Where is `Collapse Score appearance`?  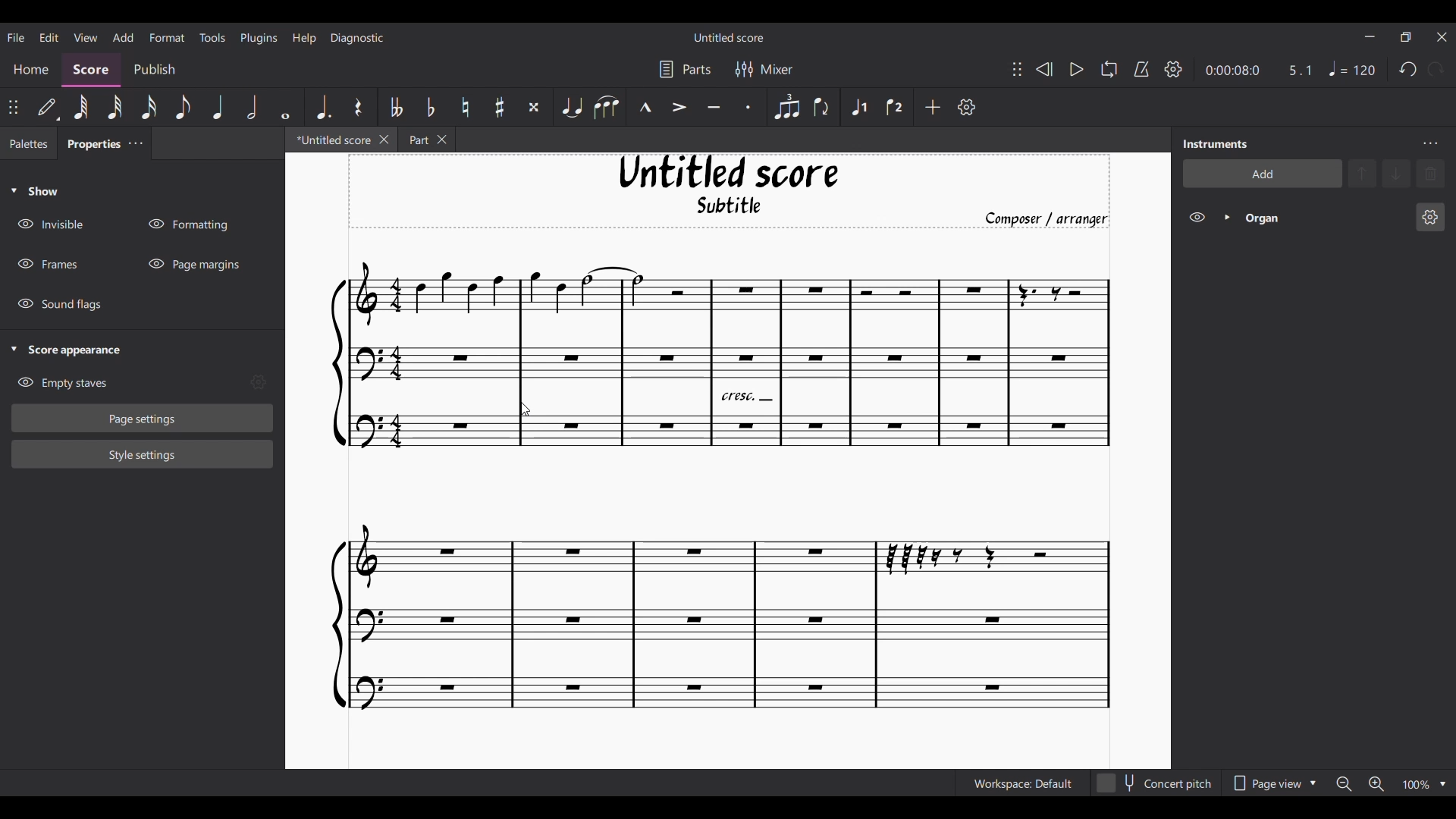 Collapse Score appearance is located at coordinates (66, 351).